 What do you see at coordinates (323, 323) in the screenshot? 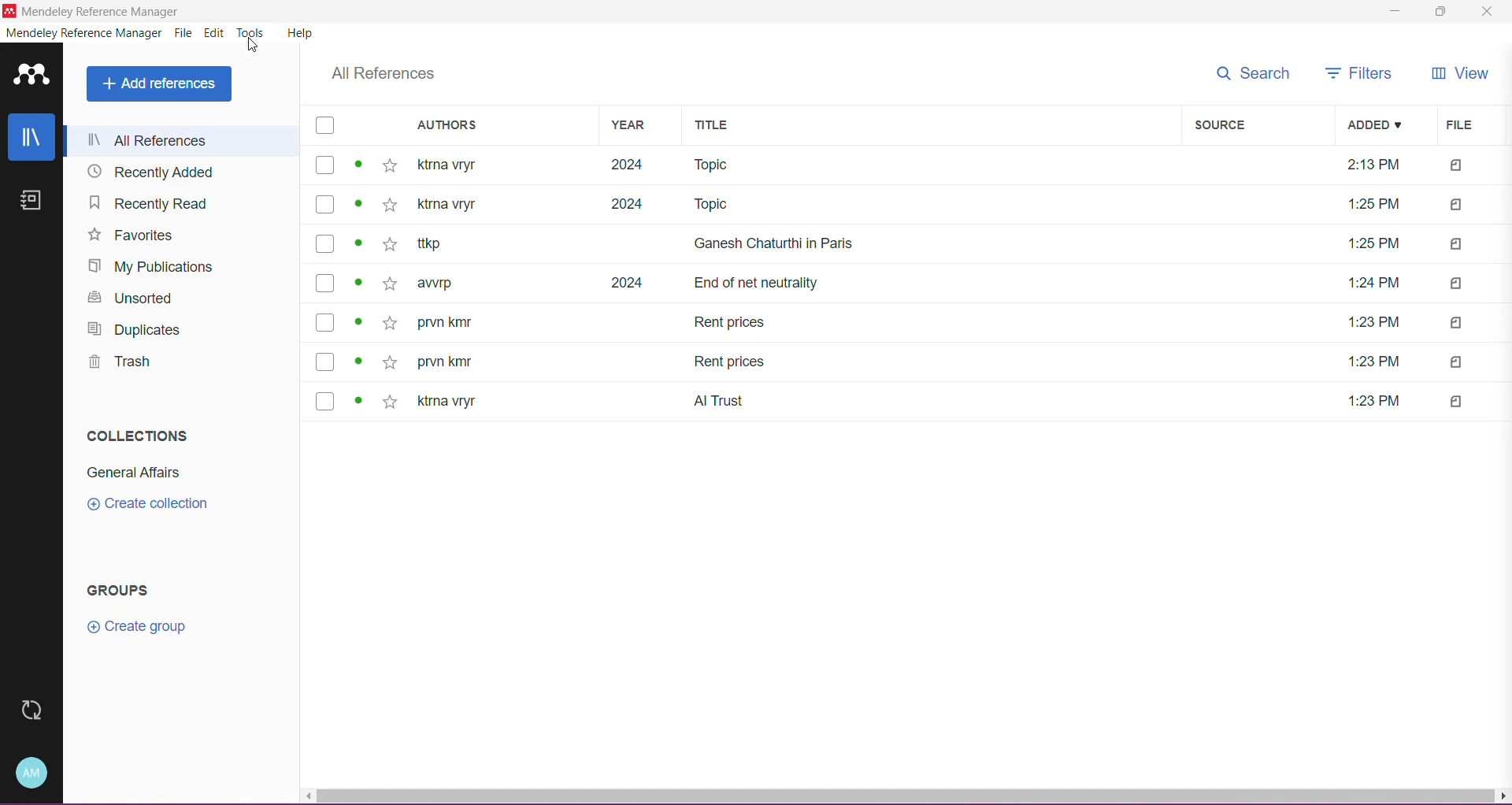
I see `checkbox` at bounding box center [323, 323].